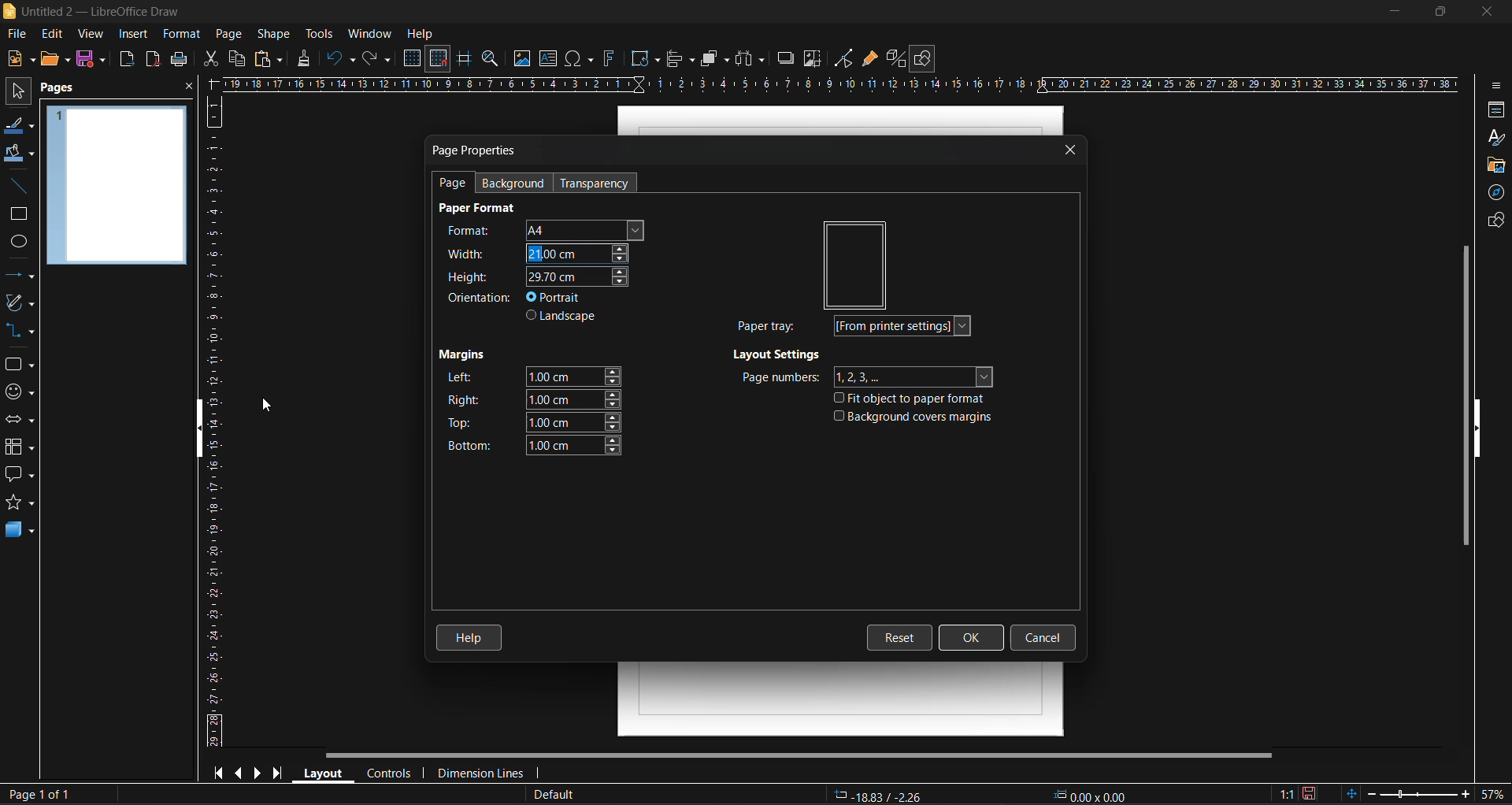  Describe the element at coordinates (788, 57) in the screenshot. I see `shadow` at that location.